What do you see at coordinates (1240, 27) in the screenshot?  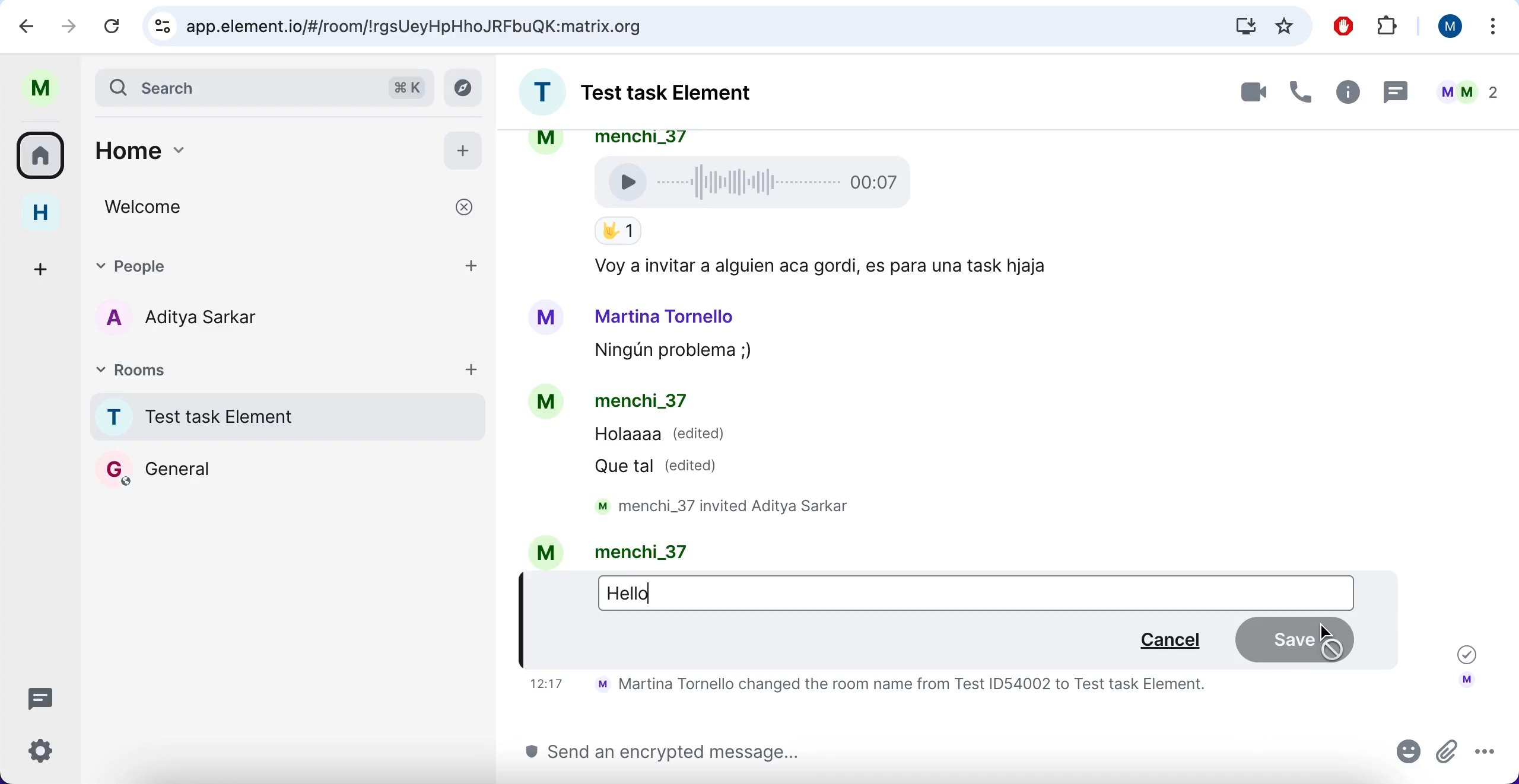 I see `downloads` at bounding box center [1240, 27].